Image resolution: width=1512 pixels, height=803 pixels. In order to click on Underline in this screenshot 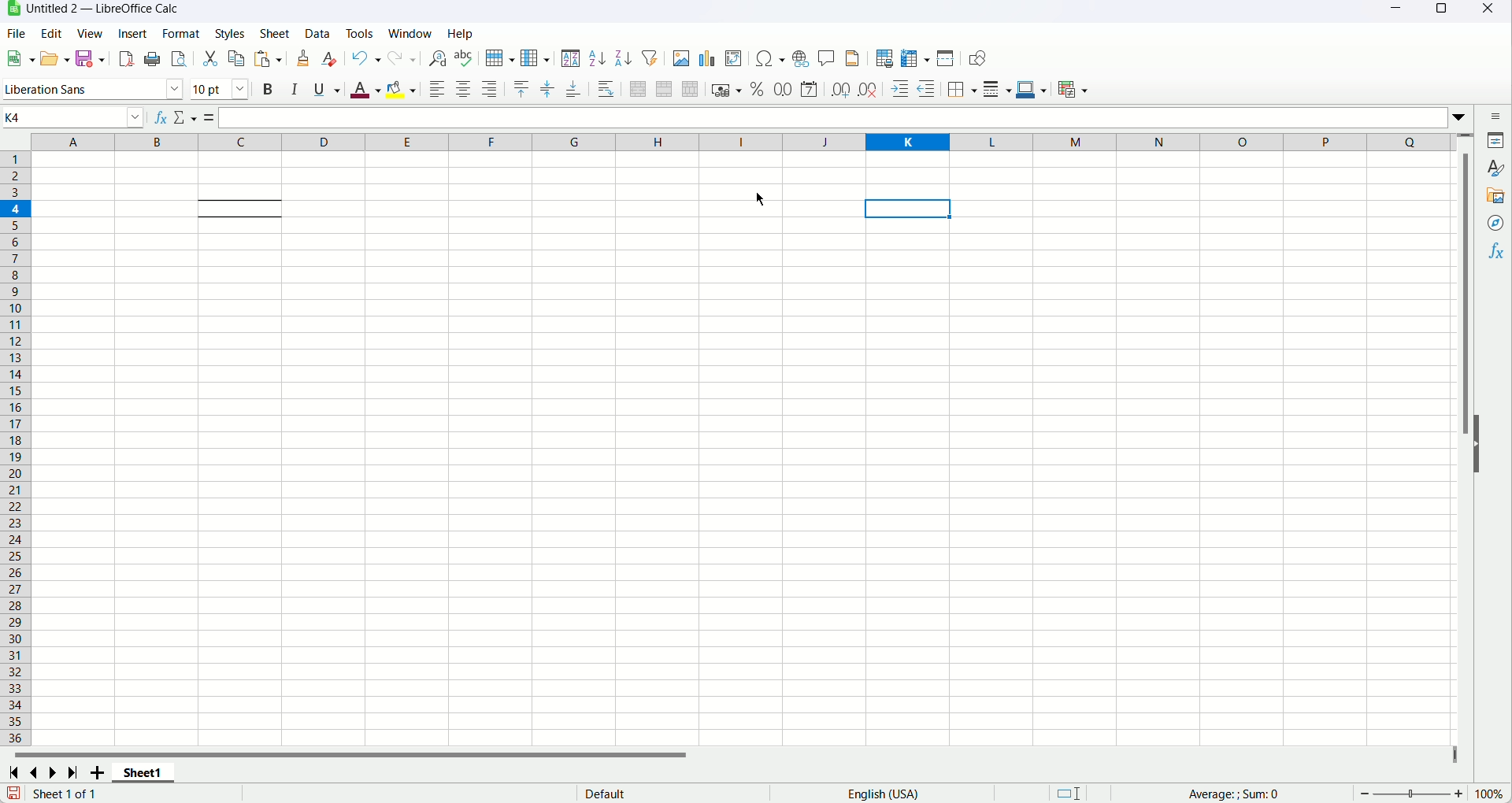, I will do `click(327, 89)`.